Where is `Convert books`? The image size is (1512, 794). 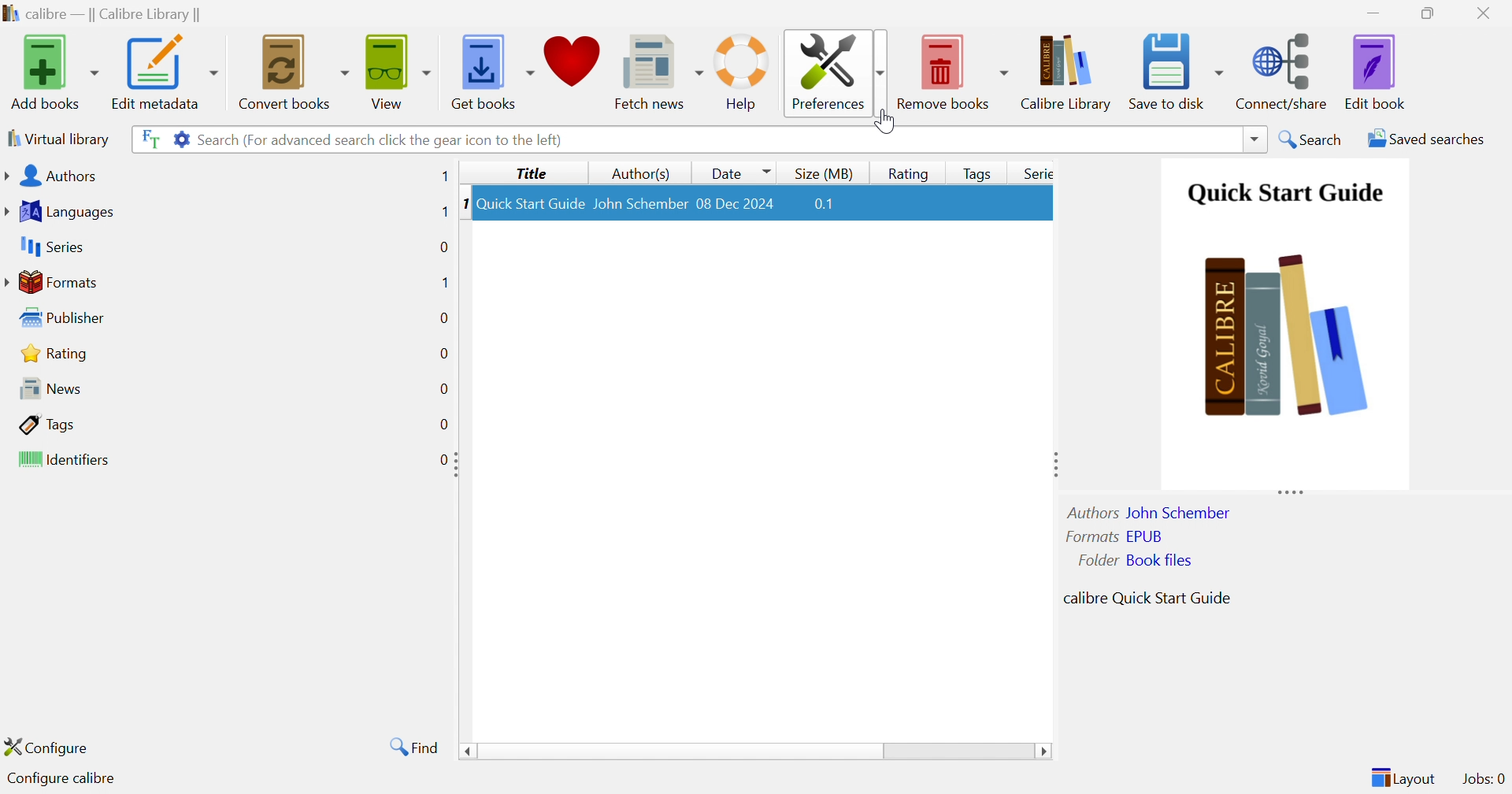
Convert books is located at coordinates (291, 70).